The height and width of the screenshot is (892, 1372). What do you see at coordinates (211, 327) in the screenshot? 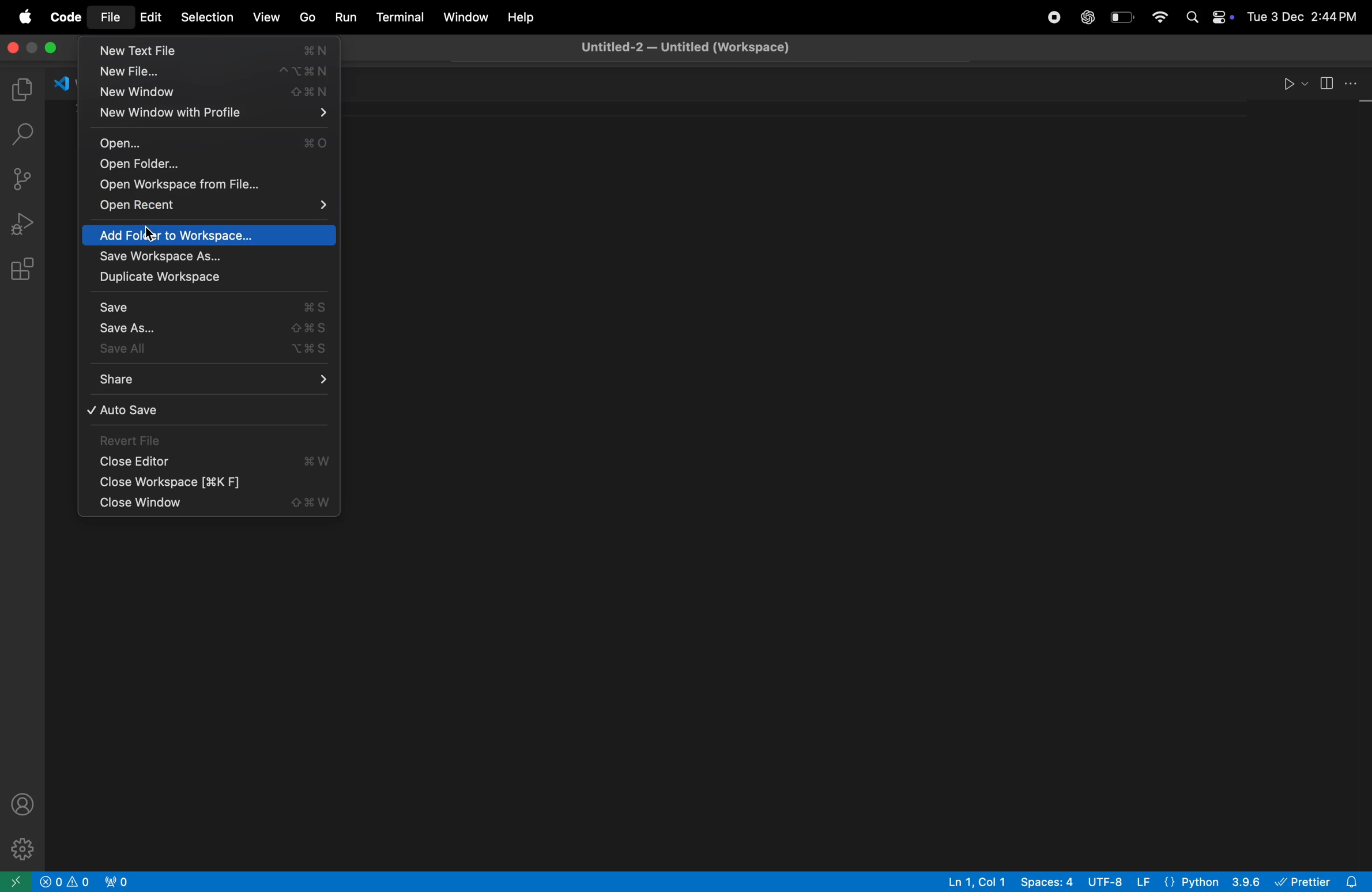
I see `save as` at bounding box center [211, 327].